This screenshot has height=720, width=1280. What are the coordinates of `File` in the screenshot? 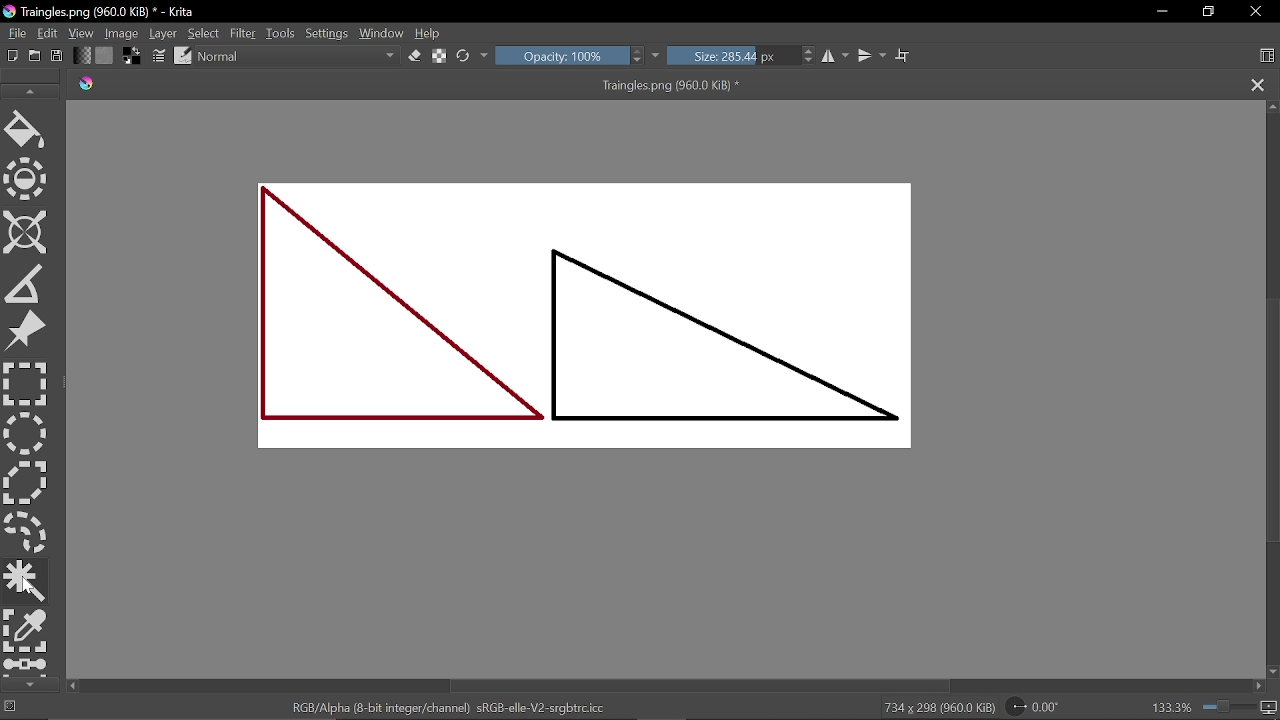 It's located at (15, 32).